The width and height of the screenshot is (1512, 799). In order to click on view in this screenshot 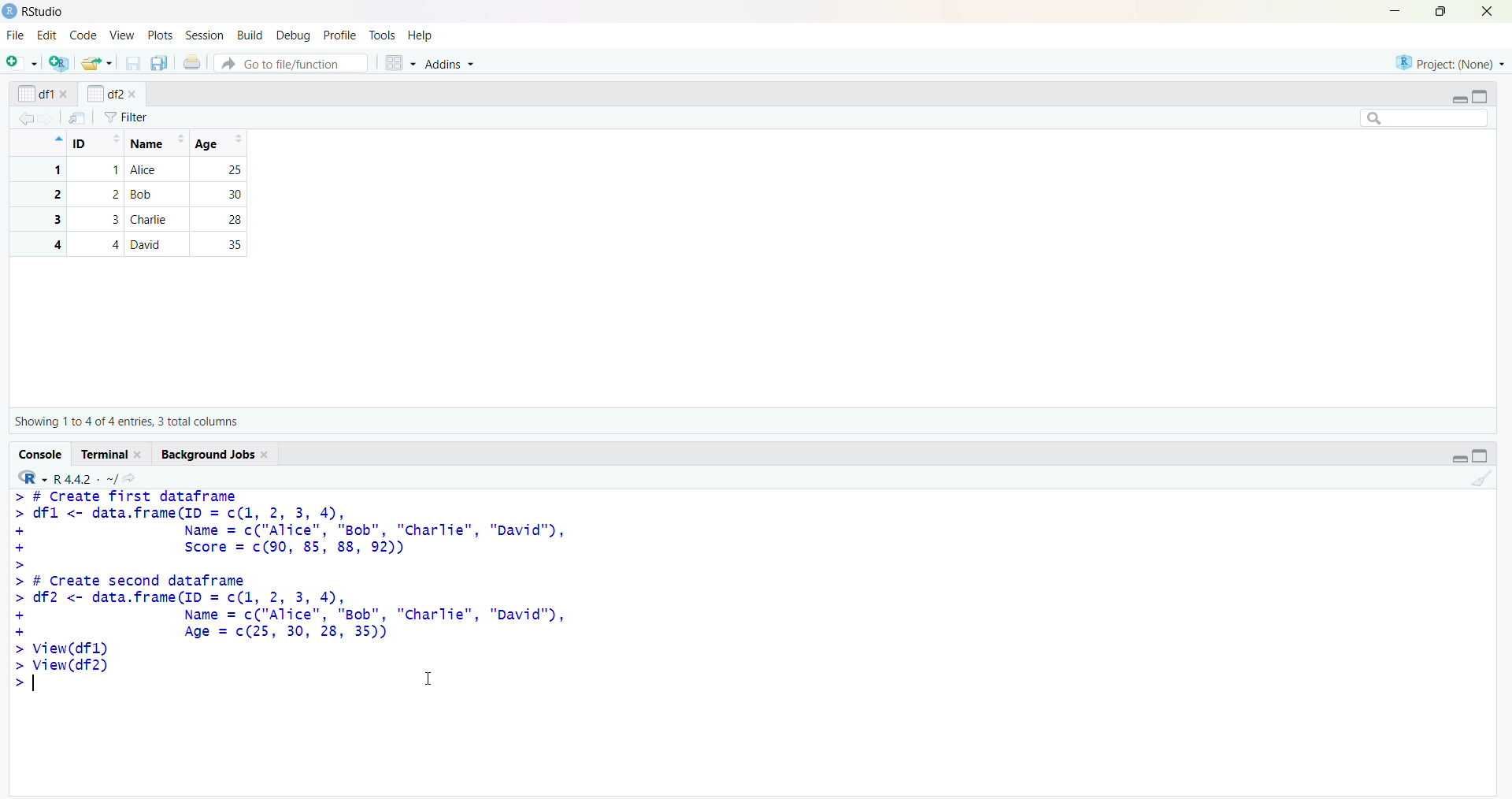, I will do `click(123, 36)`.